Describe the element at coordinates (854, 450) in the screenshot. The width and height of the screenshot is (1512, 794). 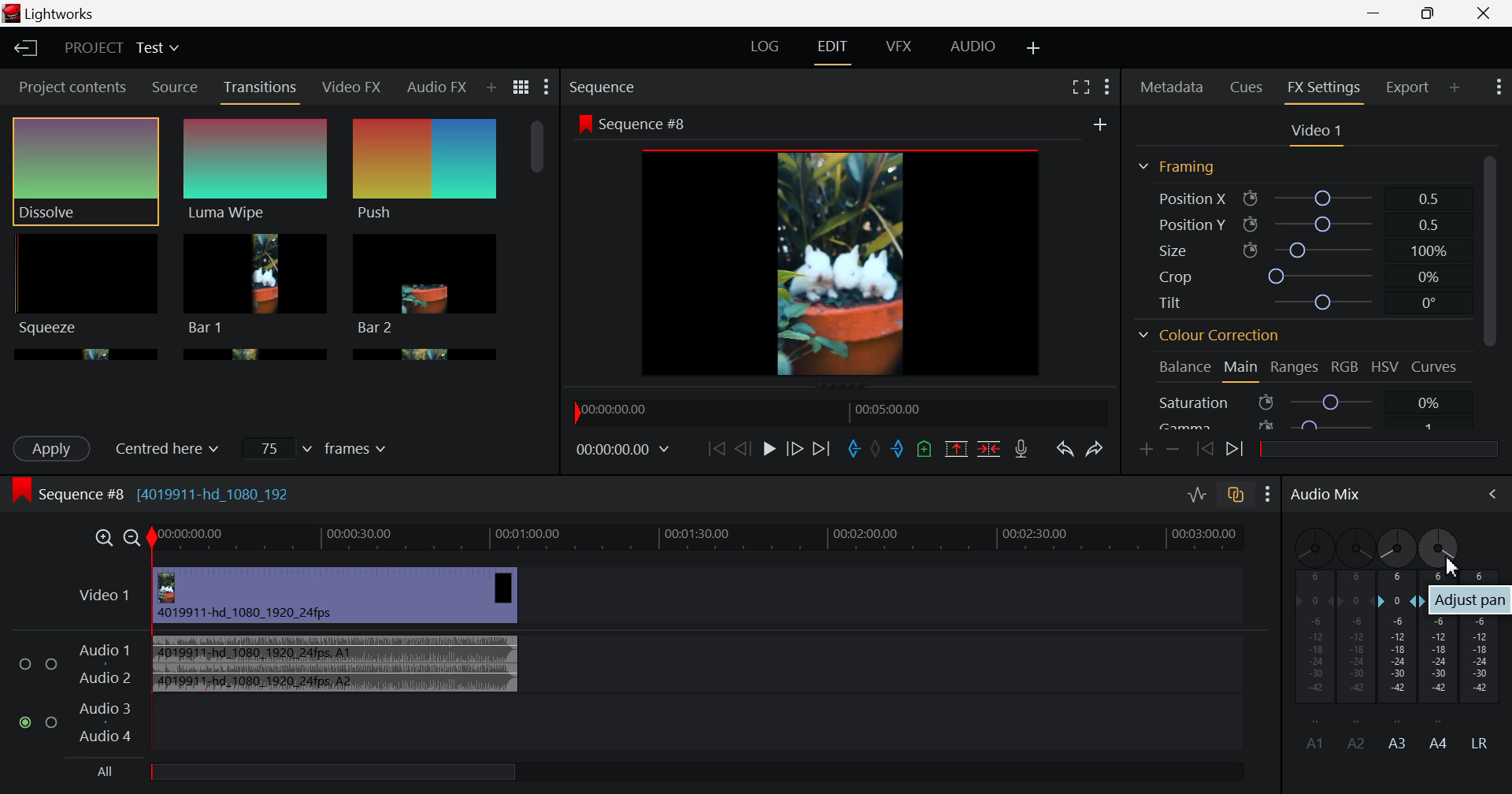
I see `Mark In` at that location.